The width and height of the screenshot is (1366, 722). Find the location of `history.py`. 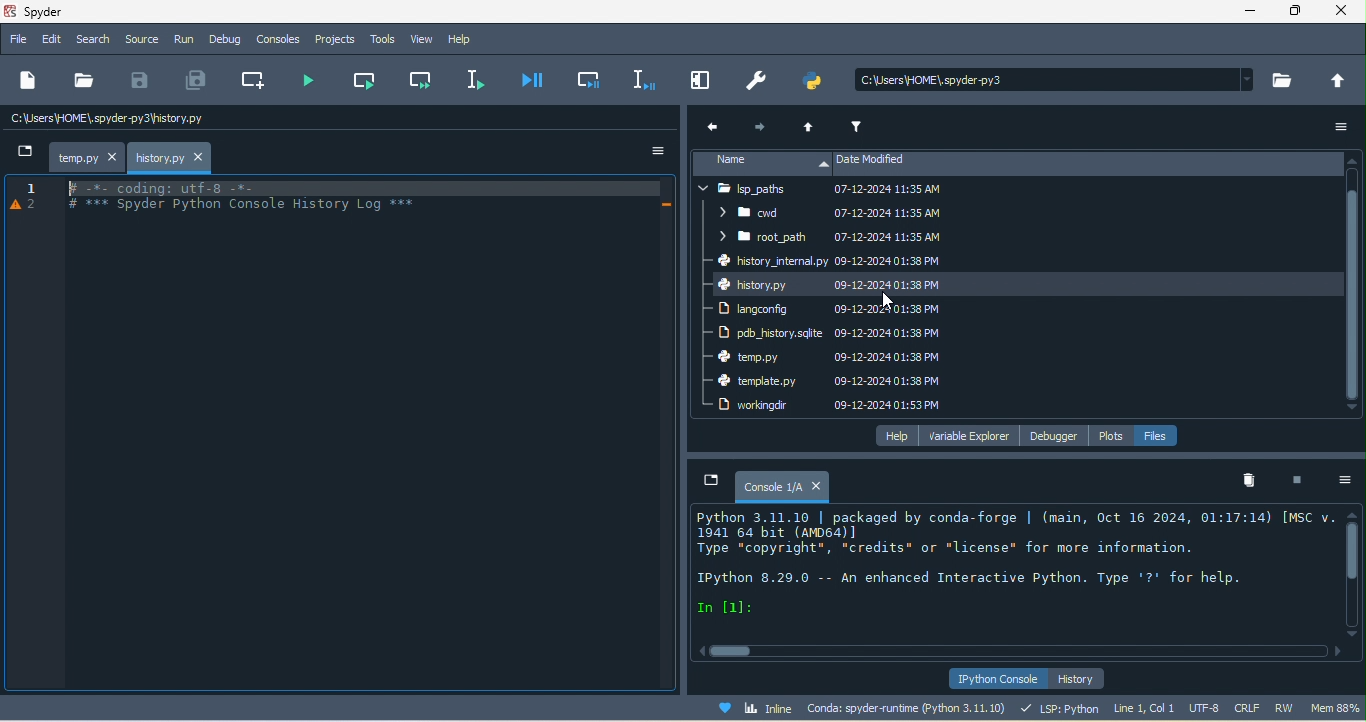

history.py is located at coordinates (172, 157).